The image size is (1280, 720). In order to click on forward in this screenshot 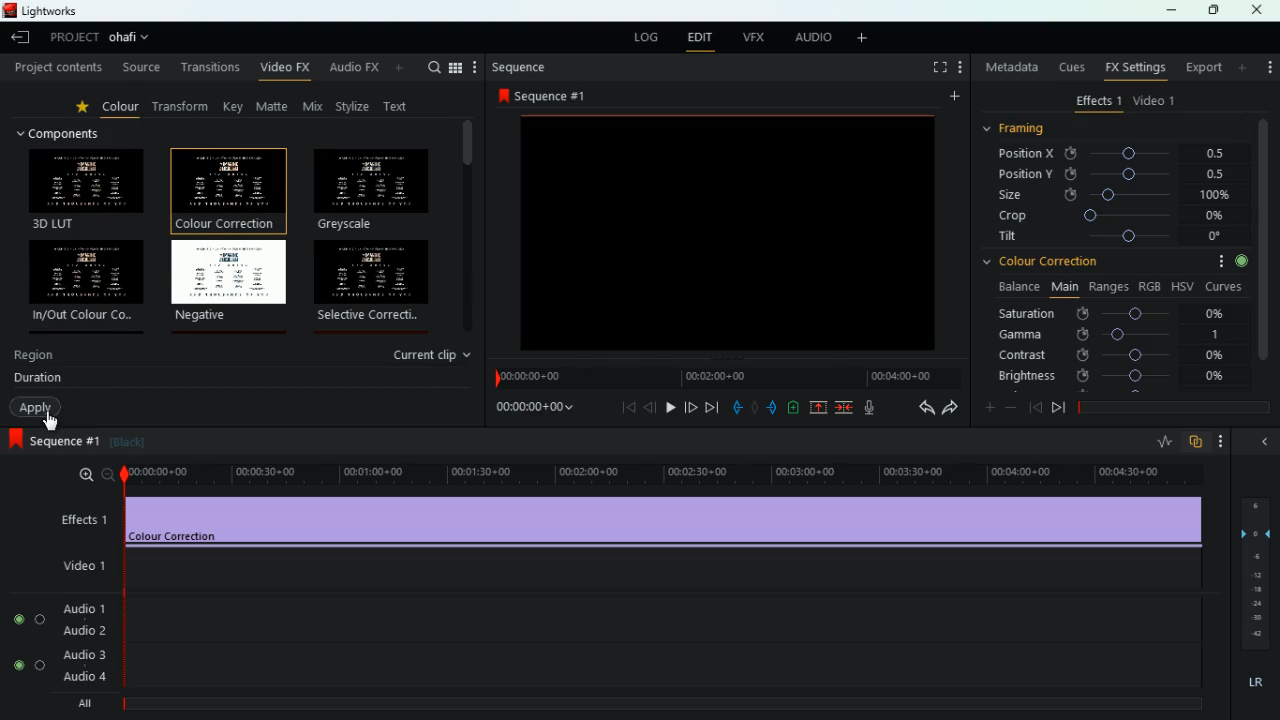, I will do `click(950, 408)`.